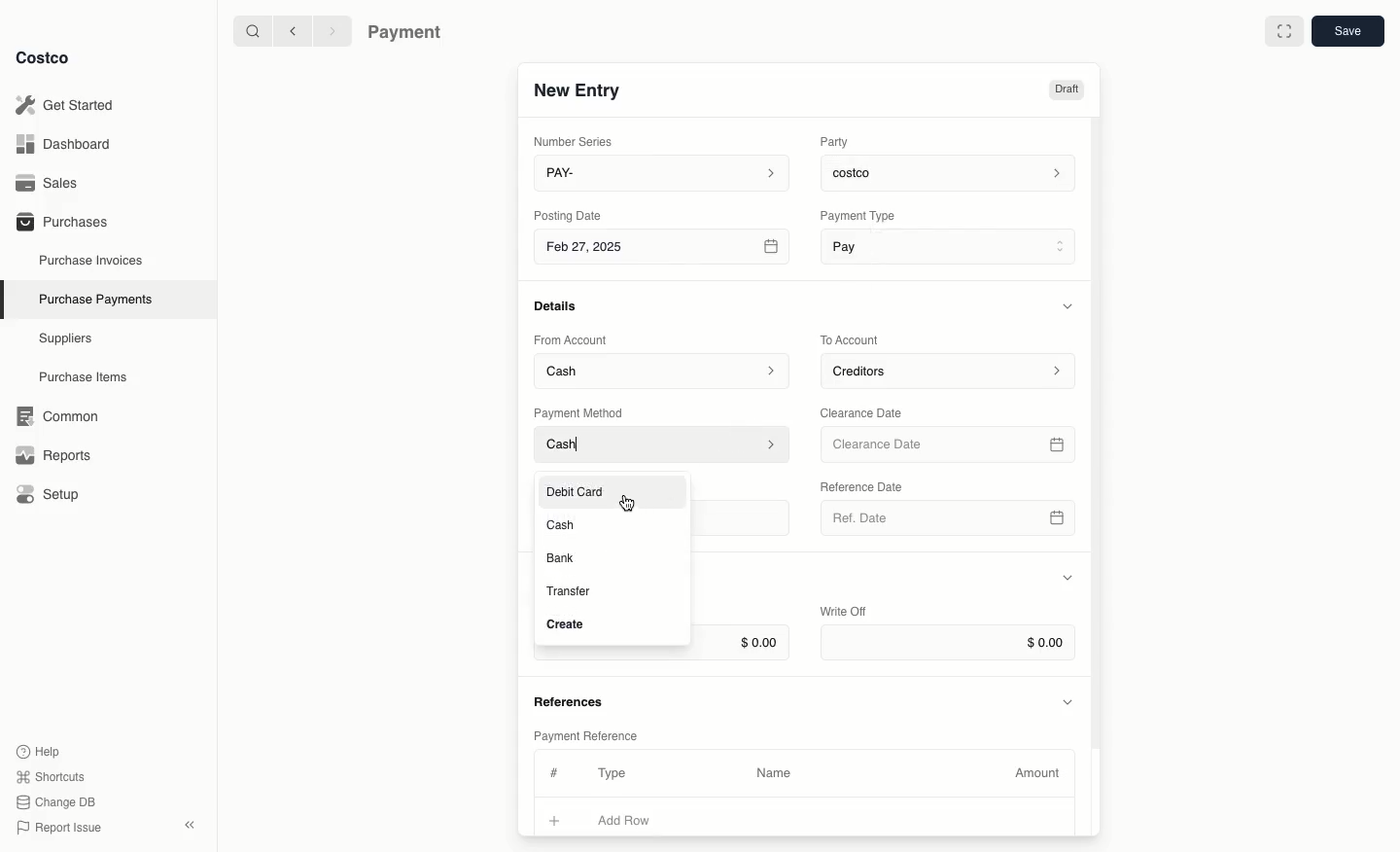 This screenshot has height=852, width=1400. I want to click on Feb 27, 2025, so click(664, 250).